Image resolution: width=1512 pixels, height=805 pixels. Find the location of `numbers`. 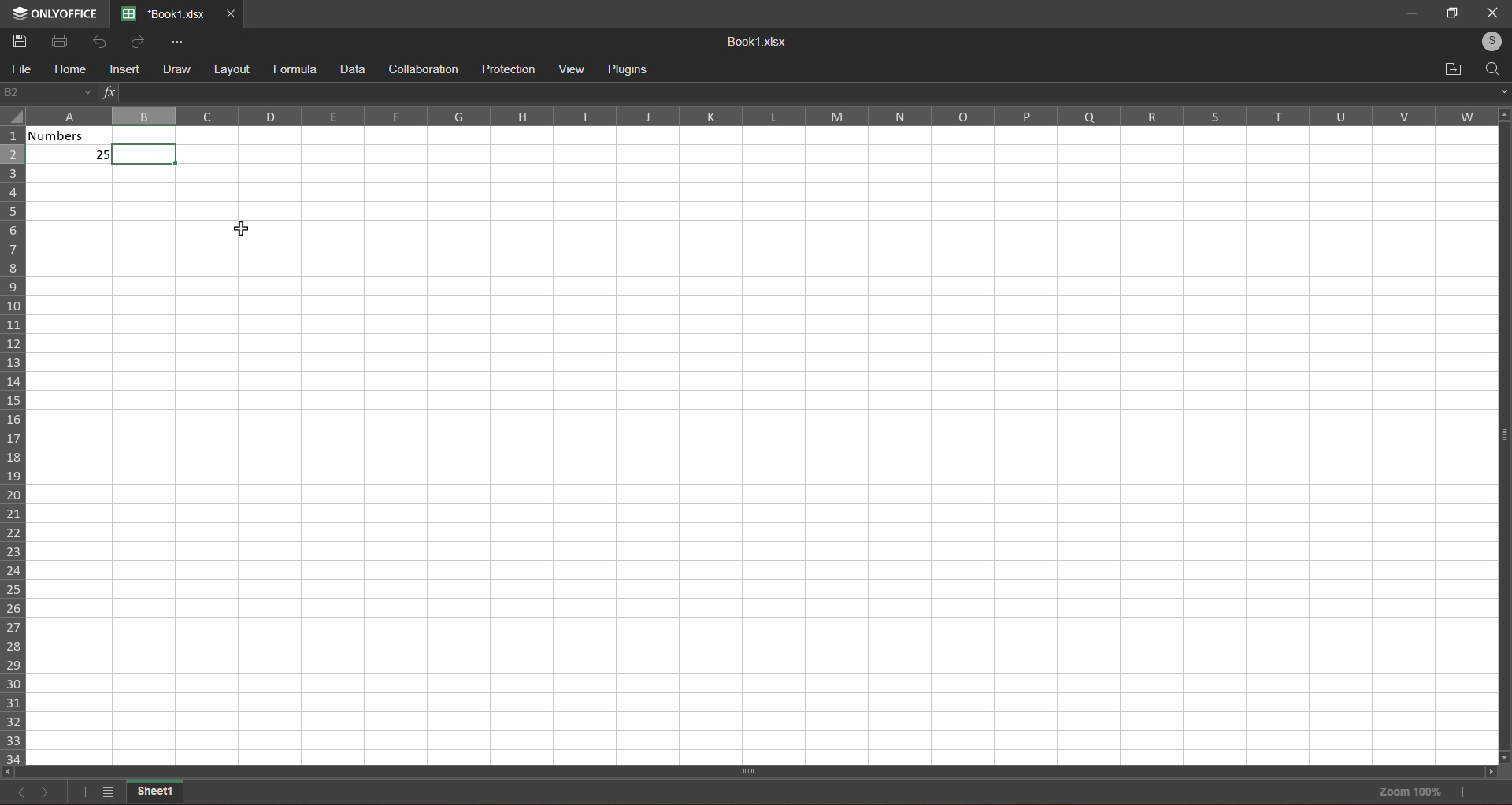

numbers is located at coordinates (74, 149).